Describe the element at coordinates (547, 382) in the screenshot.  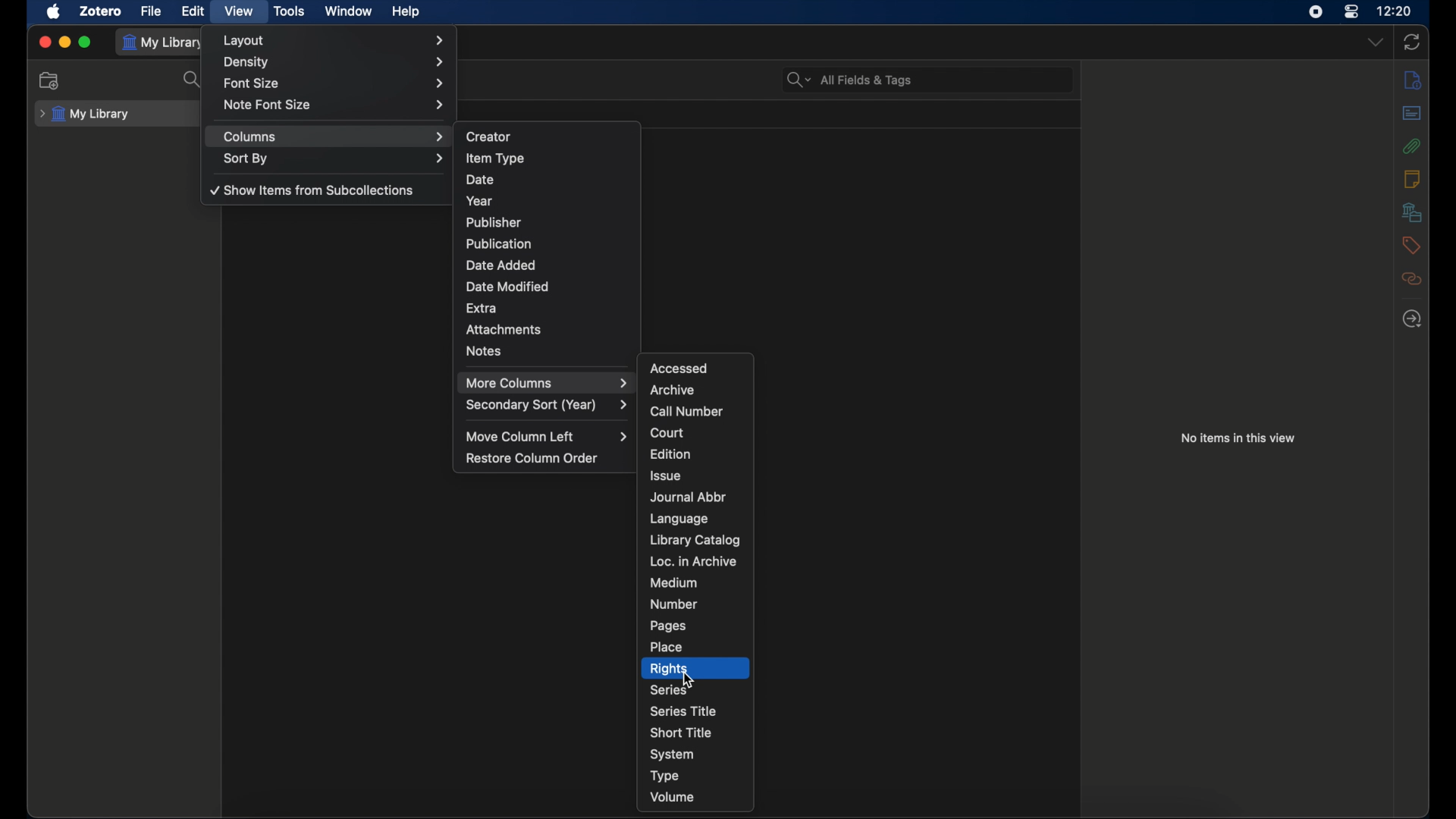
I see `more columns` at that location.